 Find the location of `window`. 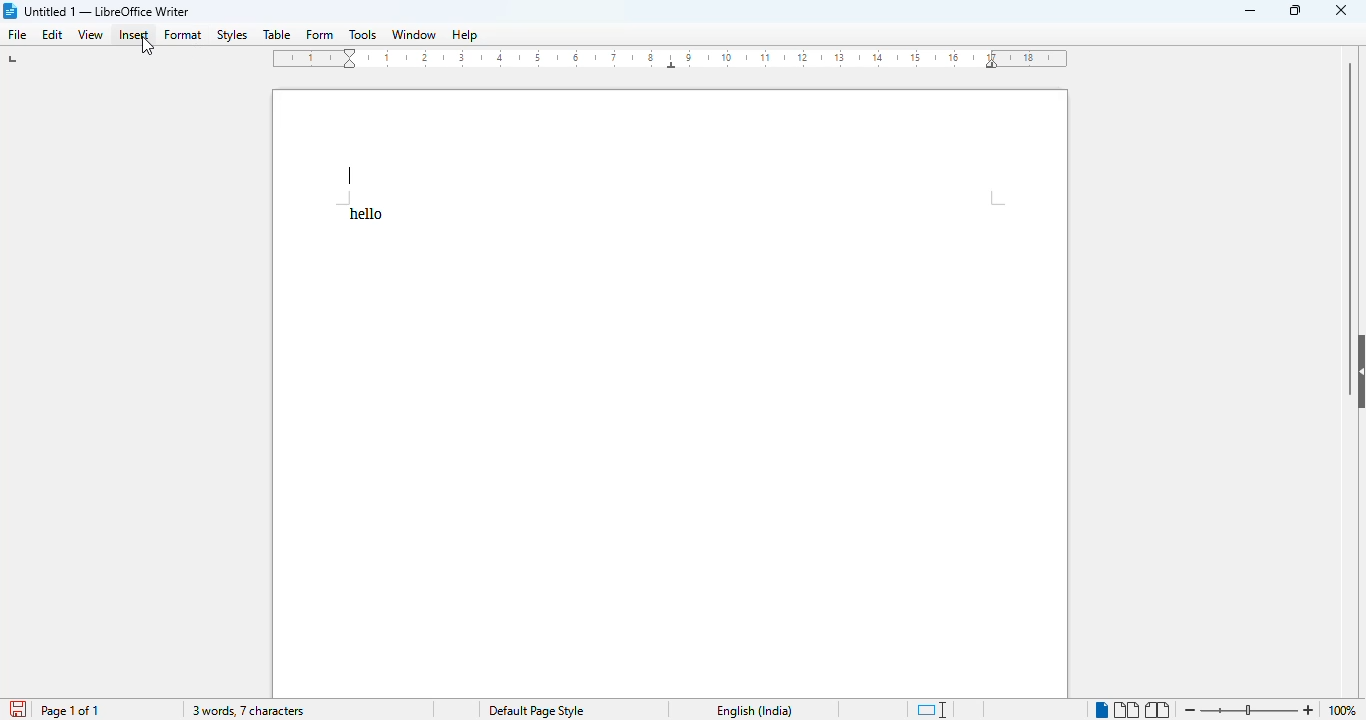

window is located at coordinates (414, 34).